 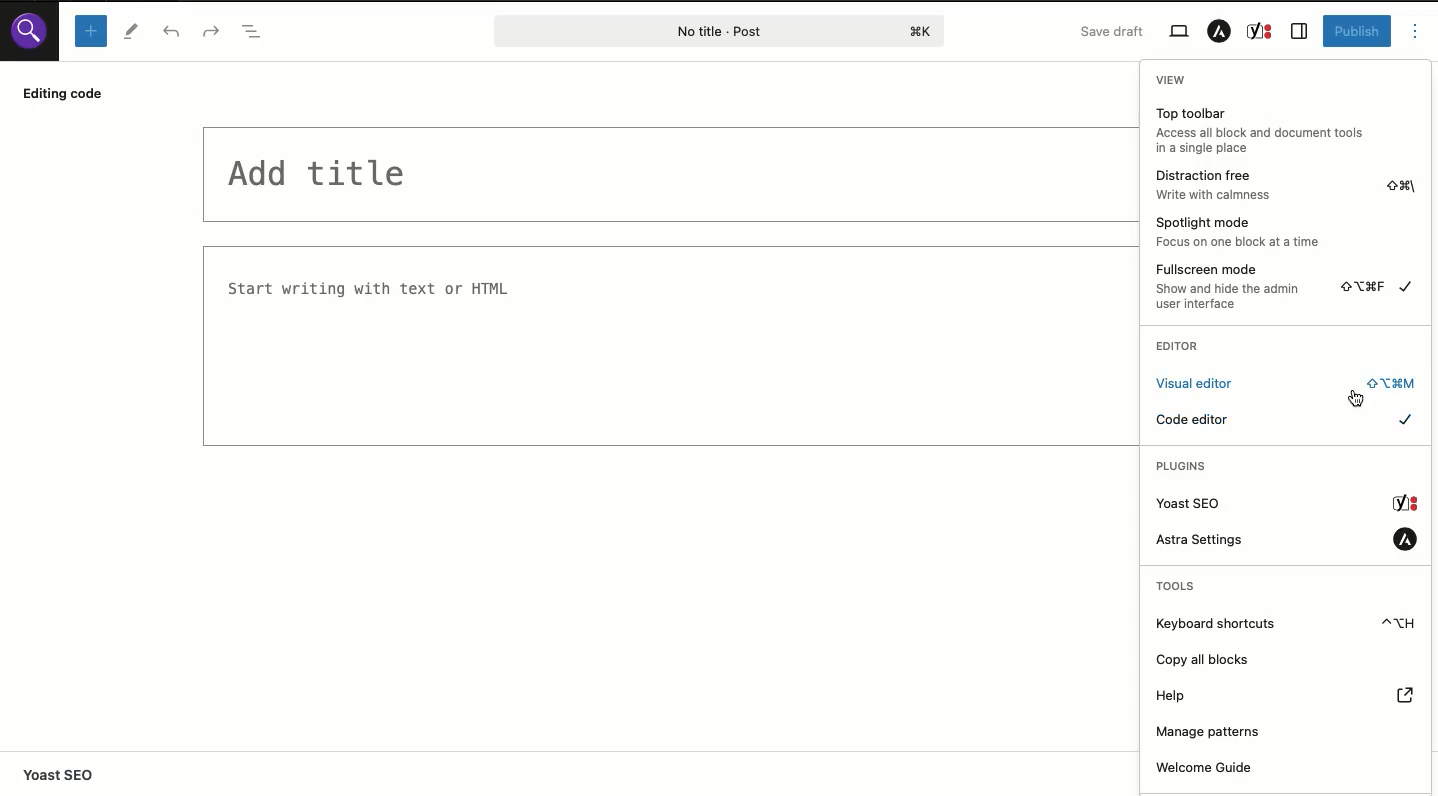 What do you see at coordinates (256, 33) in the screenshot?
I see `Doc overview` at bounding box center [256, 33].